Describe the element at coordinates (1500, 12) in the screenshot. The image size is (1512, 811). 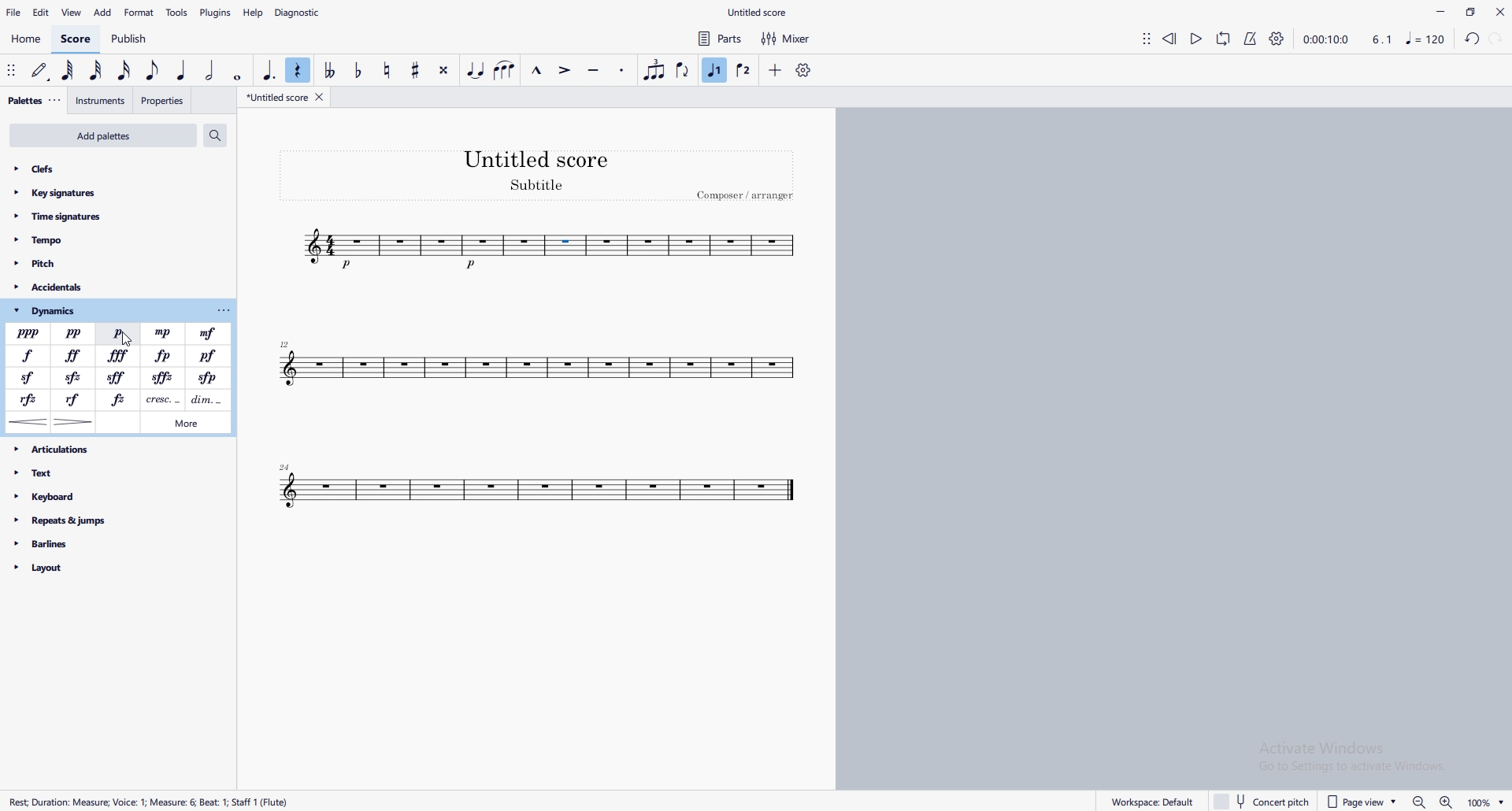
I see `close` at that location.